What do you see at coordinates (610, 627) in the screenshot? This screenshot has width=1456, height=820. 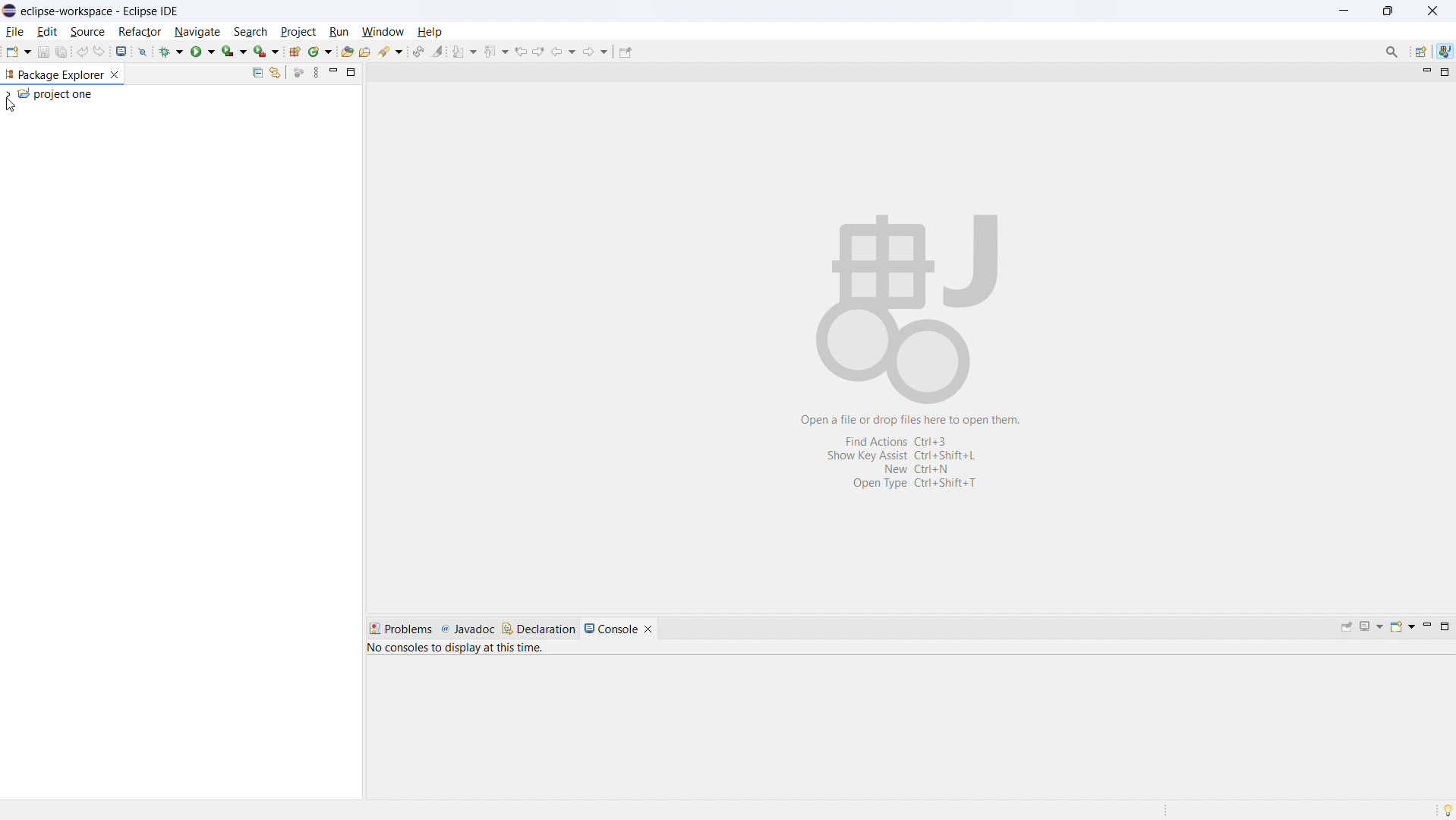 I see `console` at bounding box center [610, 627].